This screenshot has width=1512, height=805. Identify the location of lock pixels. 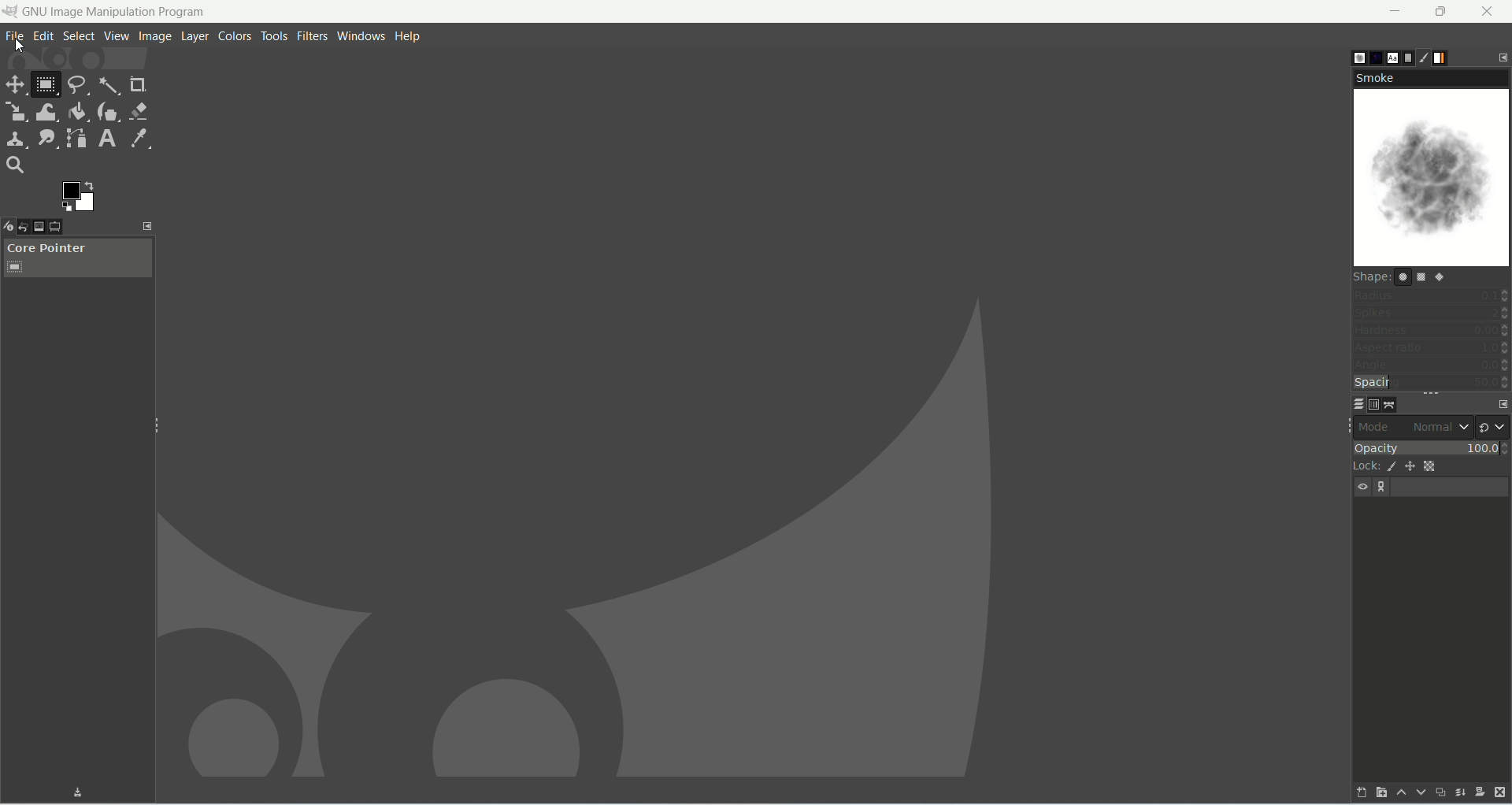
(1390, 467).